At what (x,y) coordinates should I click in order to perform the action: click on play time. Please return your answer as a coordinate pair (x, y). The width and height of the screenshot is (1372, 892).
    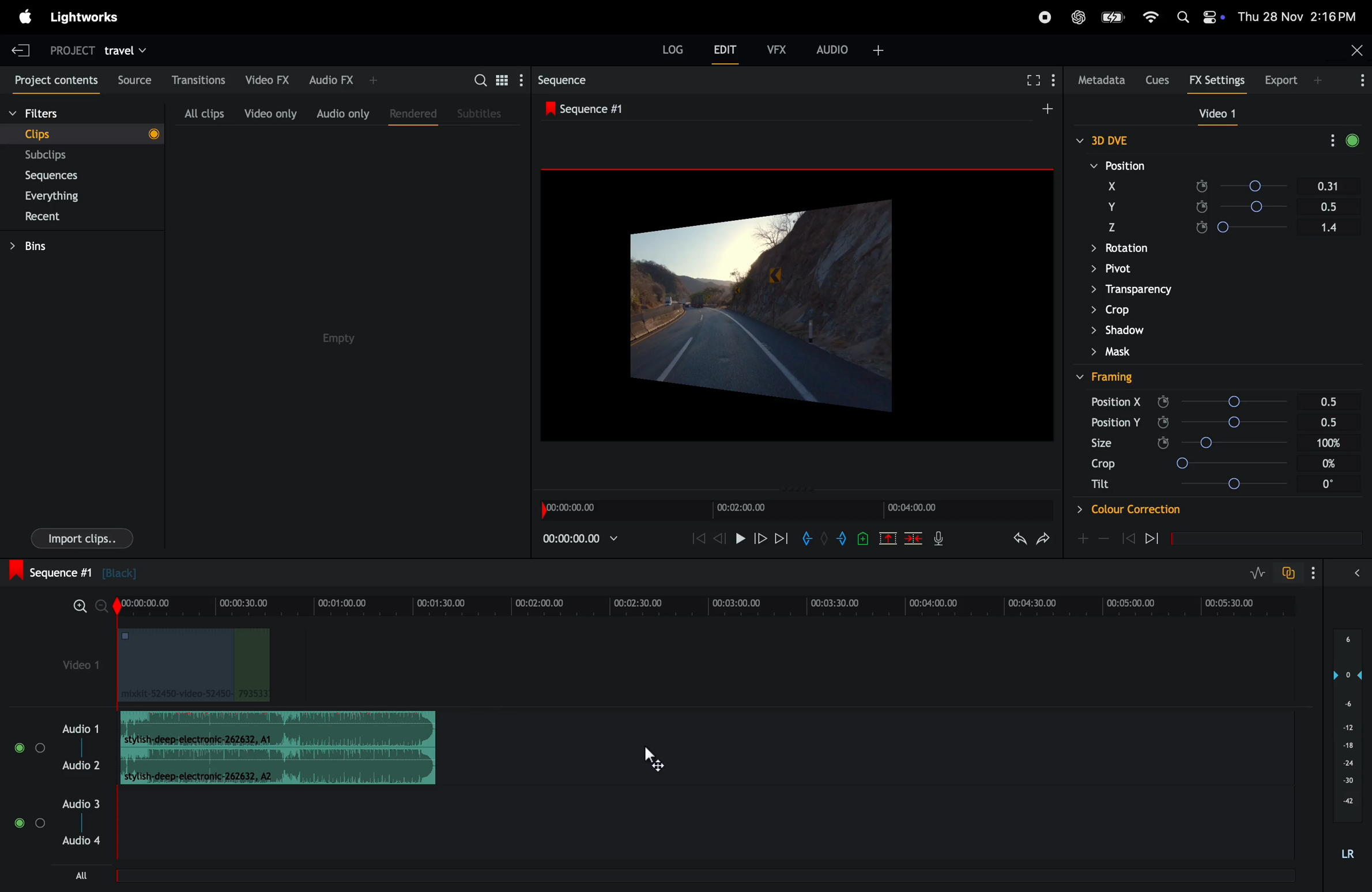
    Looking at the image, I should click on (581, 538).